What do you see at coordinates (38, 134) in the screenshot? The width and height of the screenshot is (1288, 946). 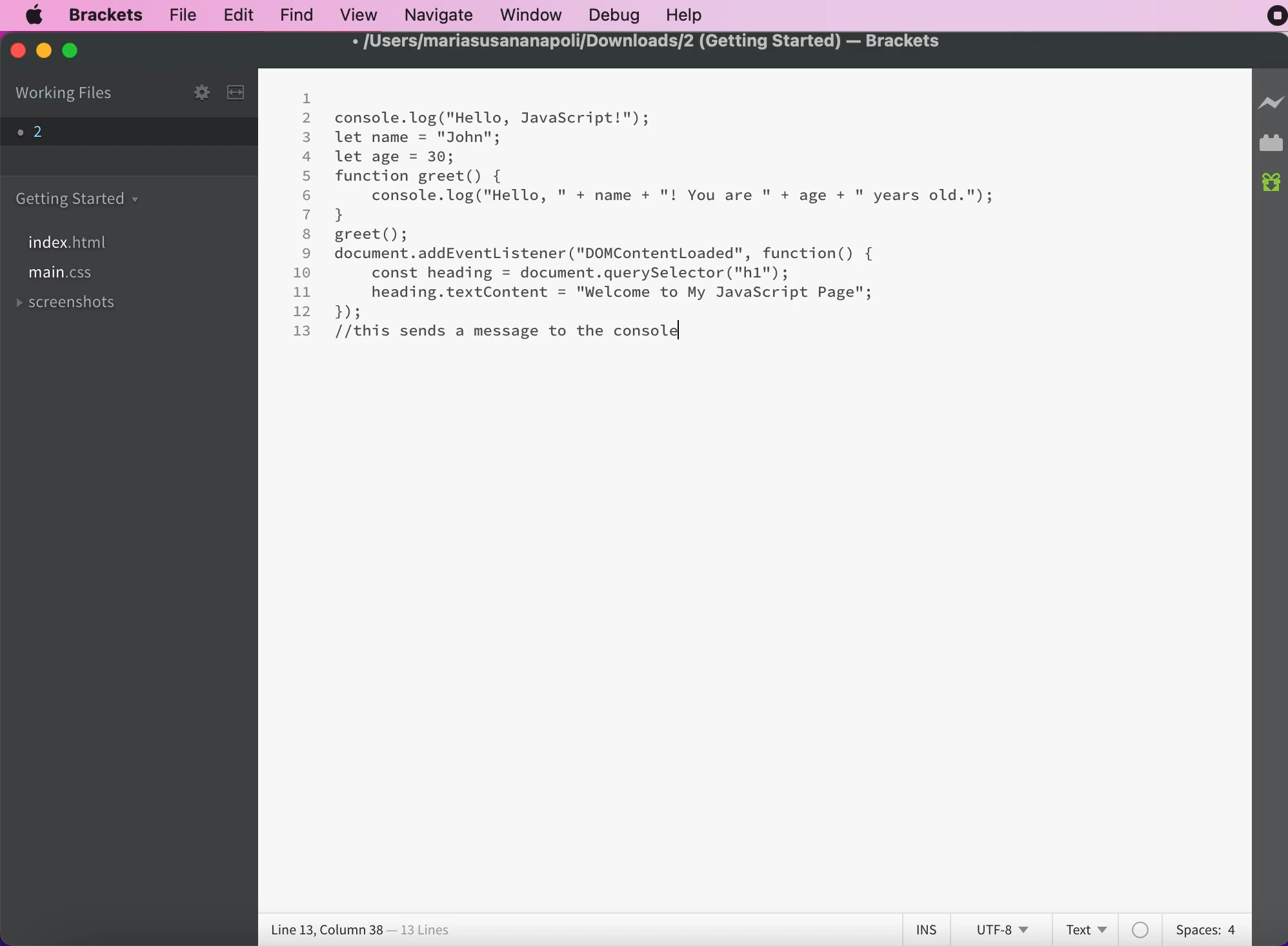 I see `file 2` at bounding box center [38, 134].